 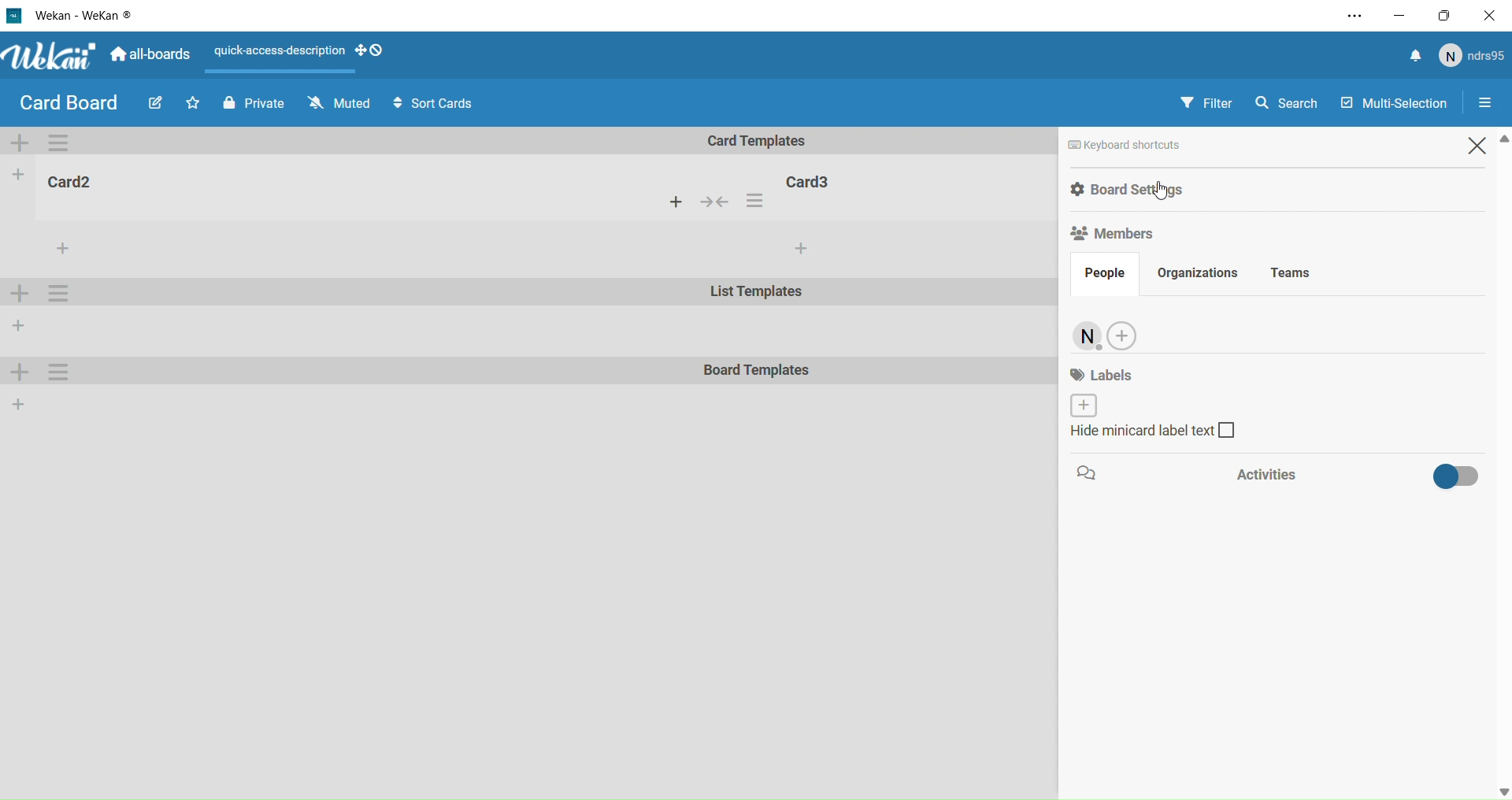 I want to click on People, so click(x=1099, y=278).